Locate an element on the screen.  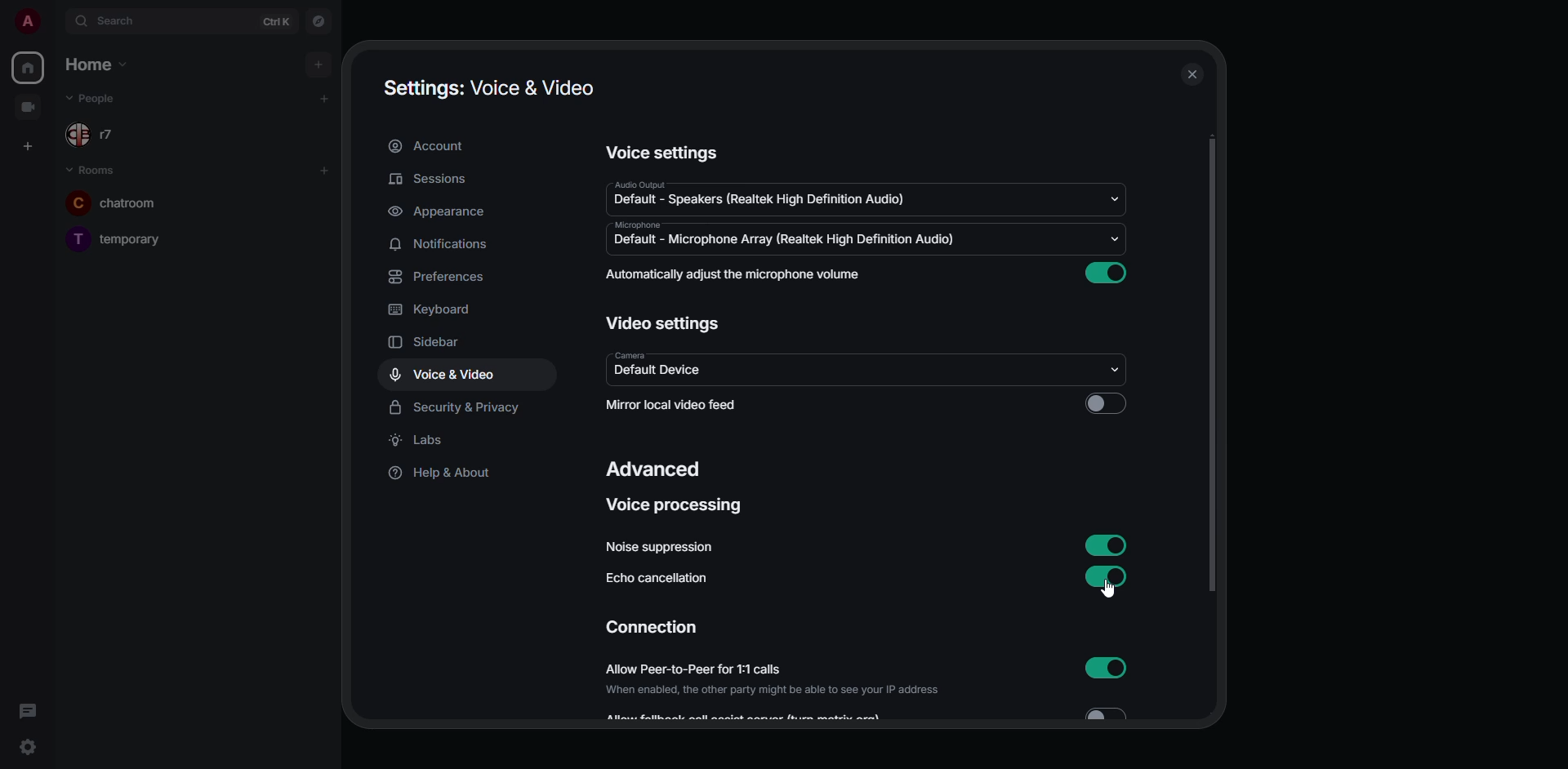
default is located at coordinates (761, 200).